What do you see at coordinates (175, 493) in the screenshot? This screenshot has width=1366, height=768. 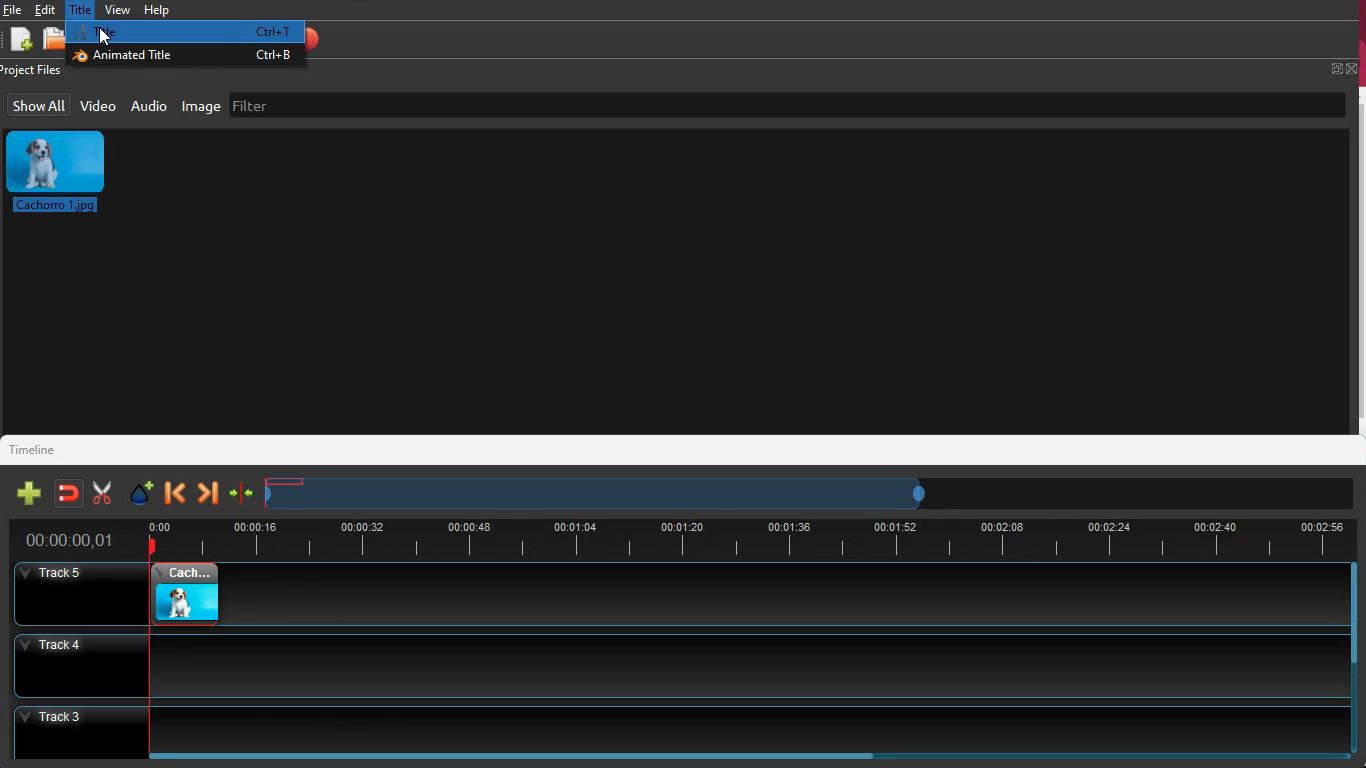 I see `back` at bounding box center [175, 493].